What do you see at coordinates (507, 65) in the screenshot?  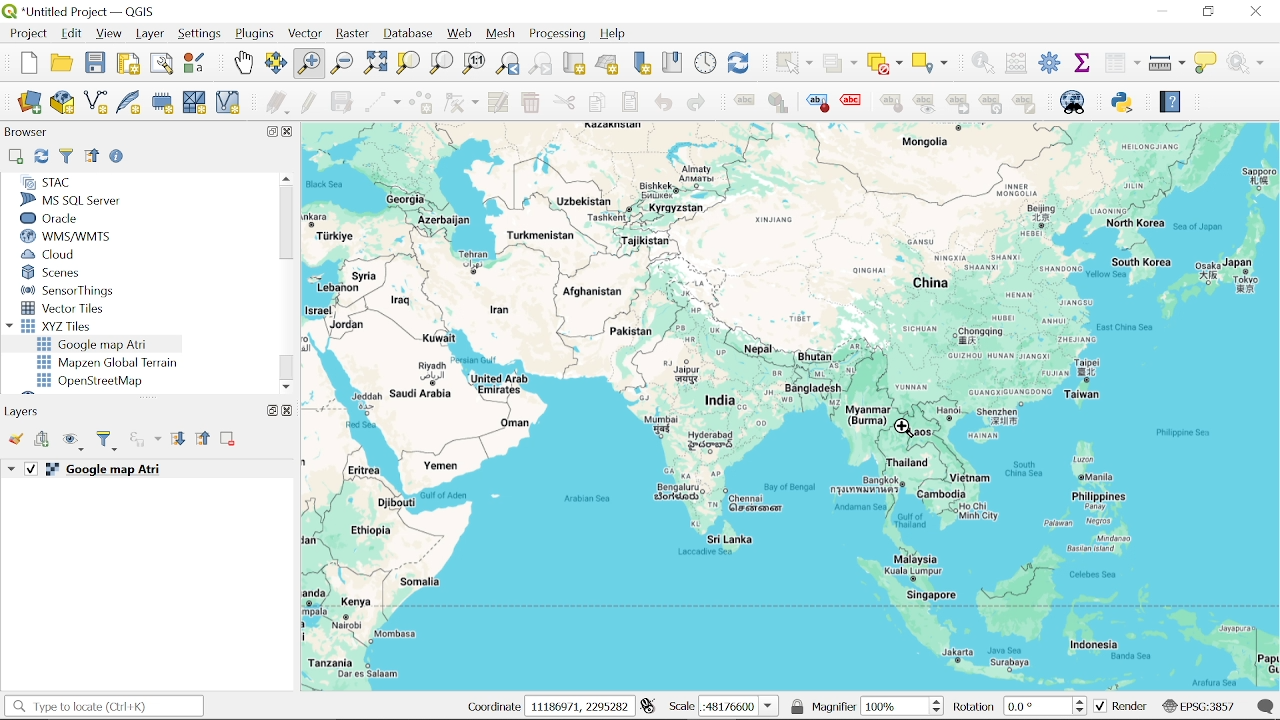 I see `Zoom to last` at bounding box center [507, 65].